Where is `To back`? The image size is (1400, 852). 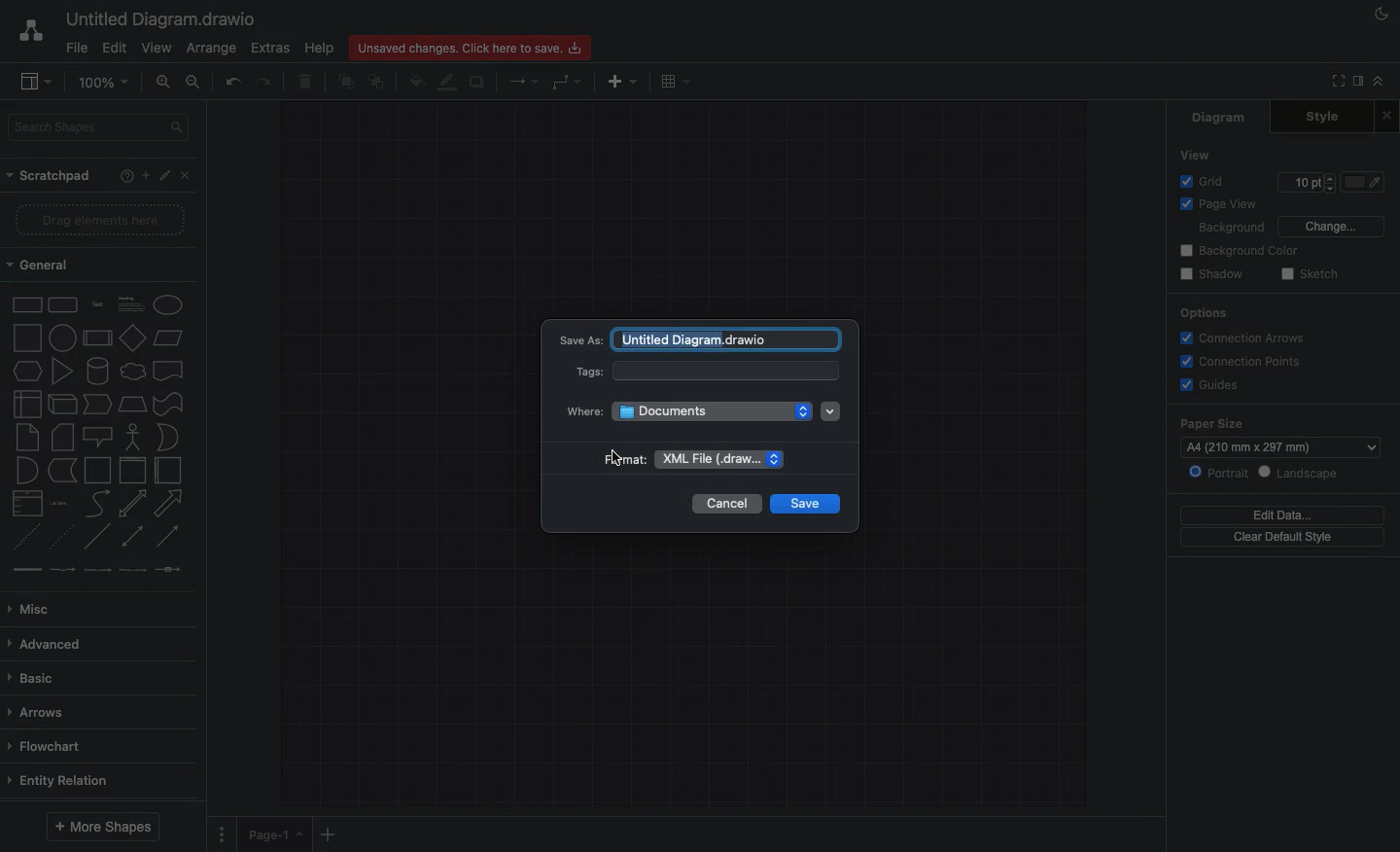 To back is located at coordinates (379, 84).